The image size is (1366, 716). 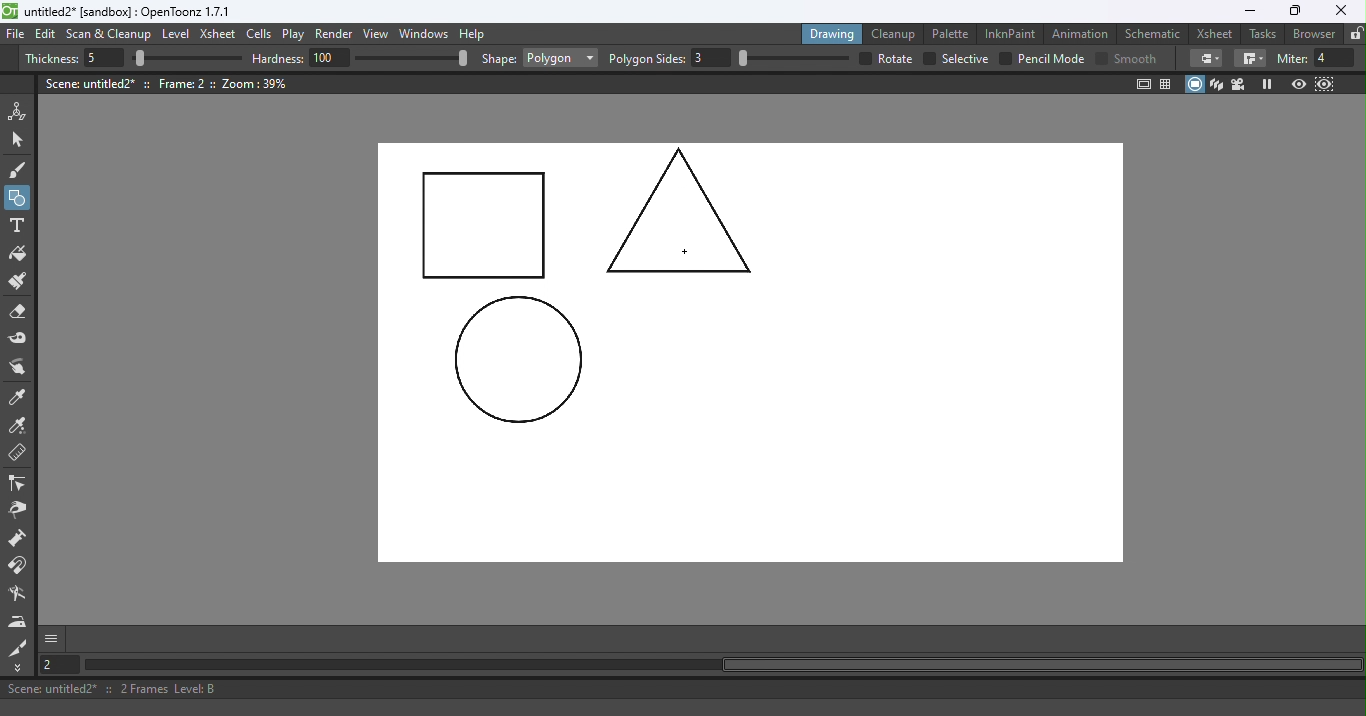 What do you see at coordinates (19, 398) in the screenshot?
I see `Style picker tool` at bounding box center [19, 398].